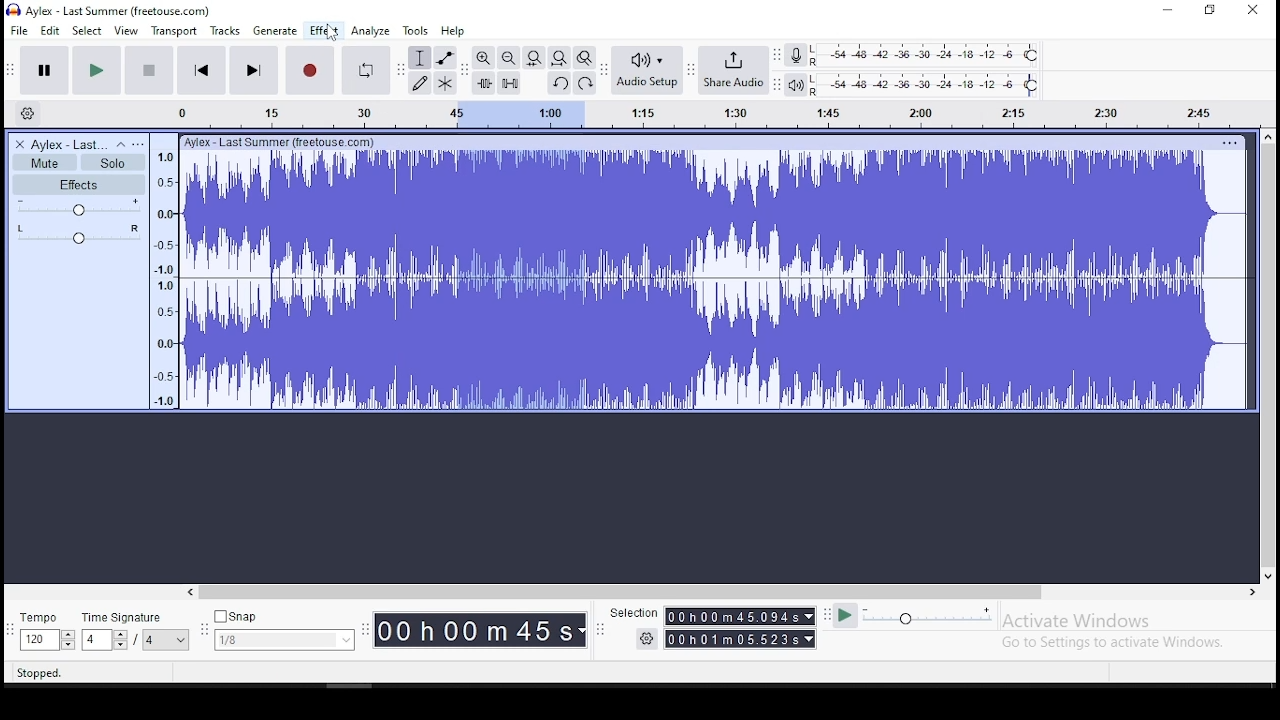 The height and width of the screenshot is (720, 1280). Describe the element at coordinates (78, 206) in the screenshot. I see `volume` at that location.